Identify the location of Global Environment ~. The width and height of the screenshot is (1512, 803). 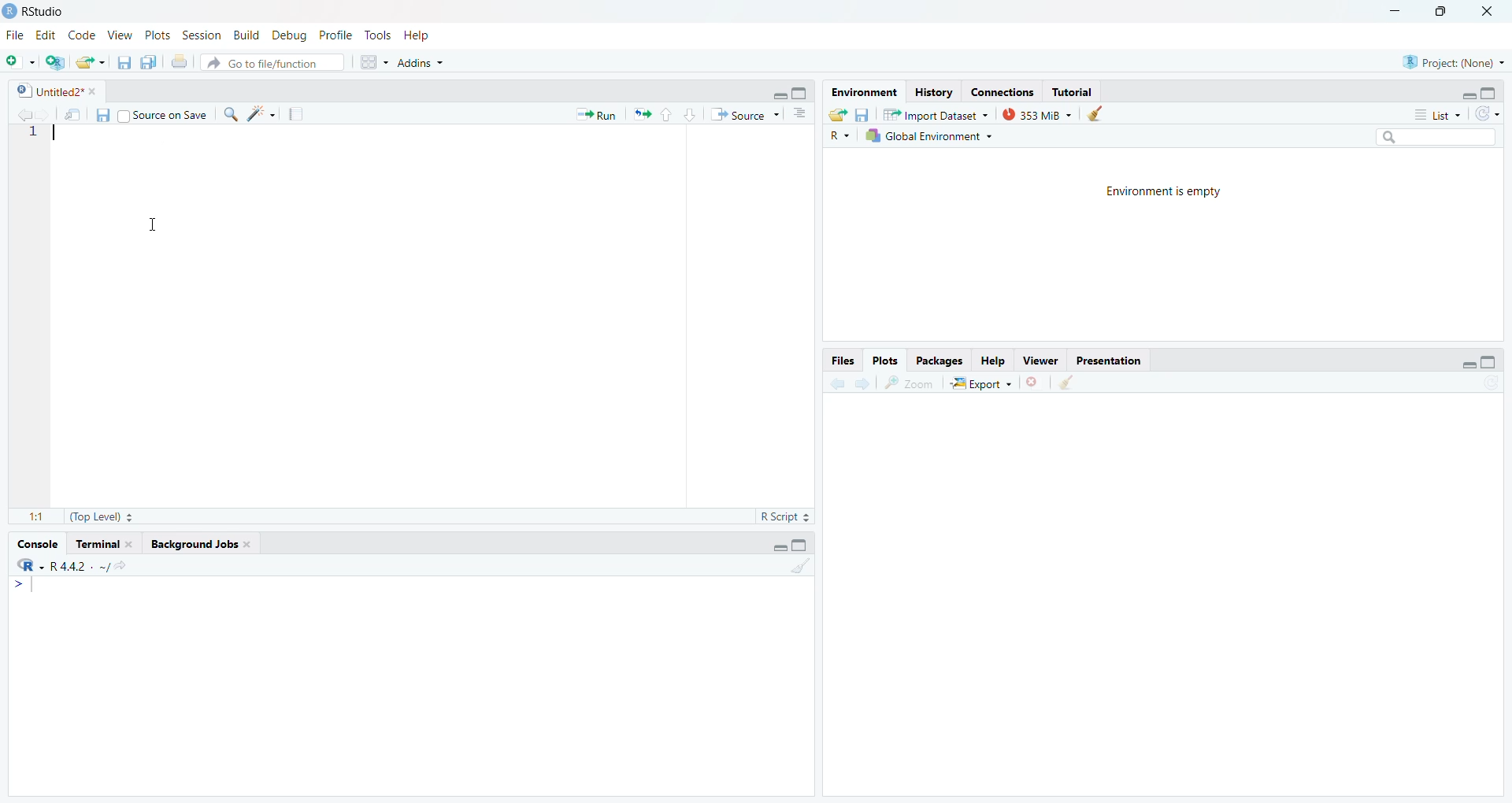
(934, 139).